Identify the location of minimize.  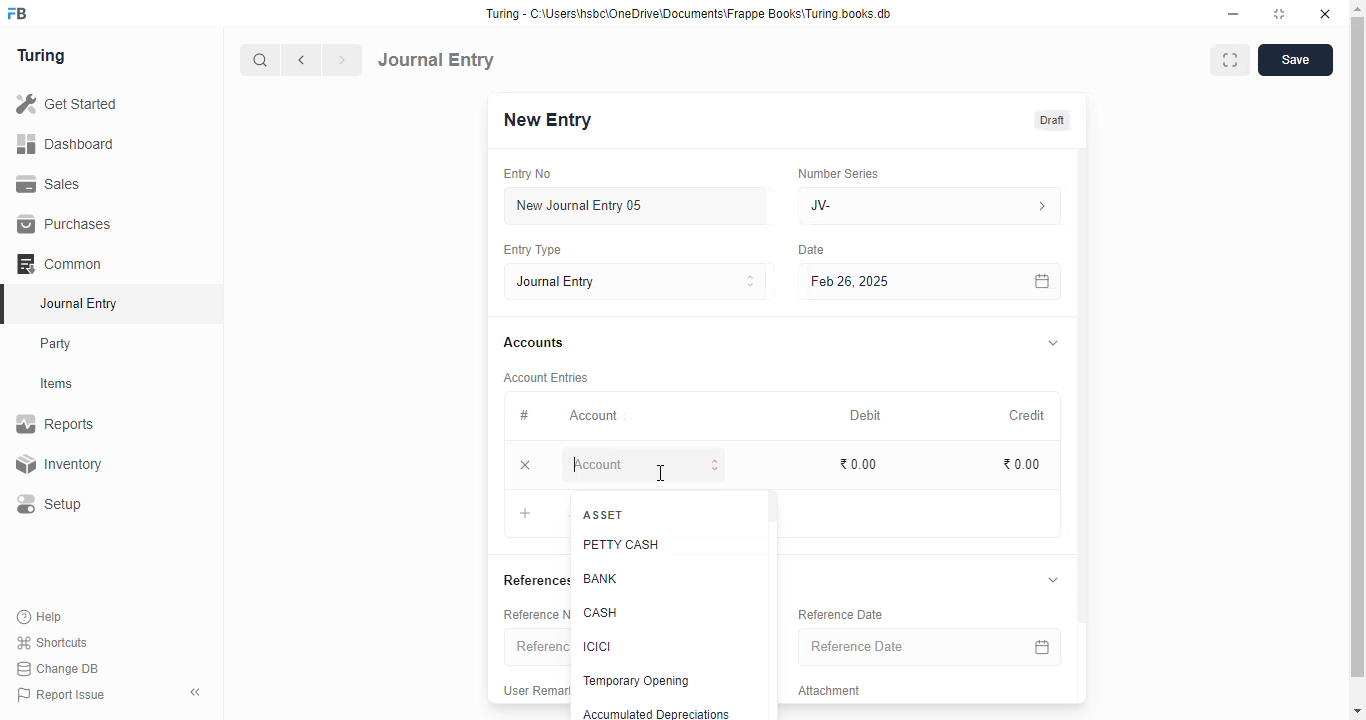
(1234, 14).